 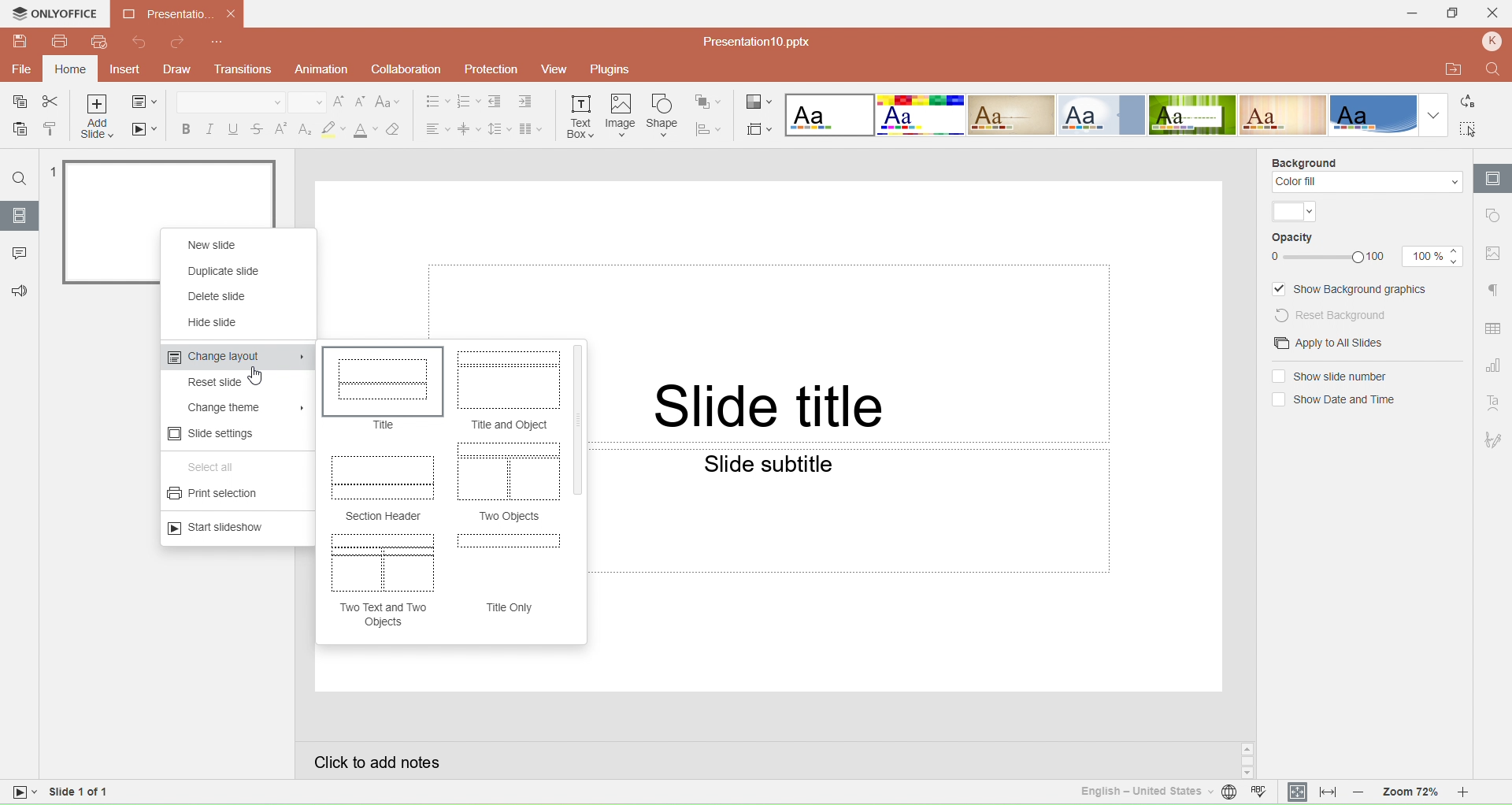 What do you see at coordinates (1495, 439) in the screenshot?
I see `Signature setting` at bounding box center [1495, 439].